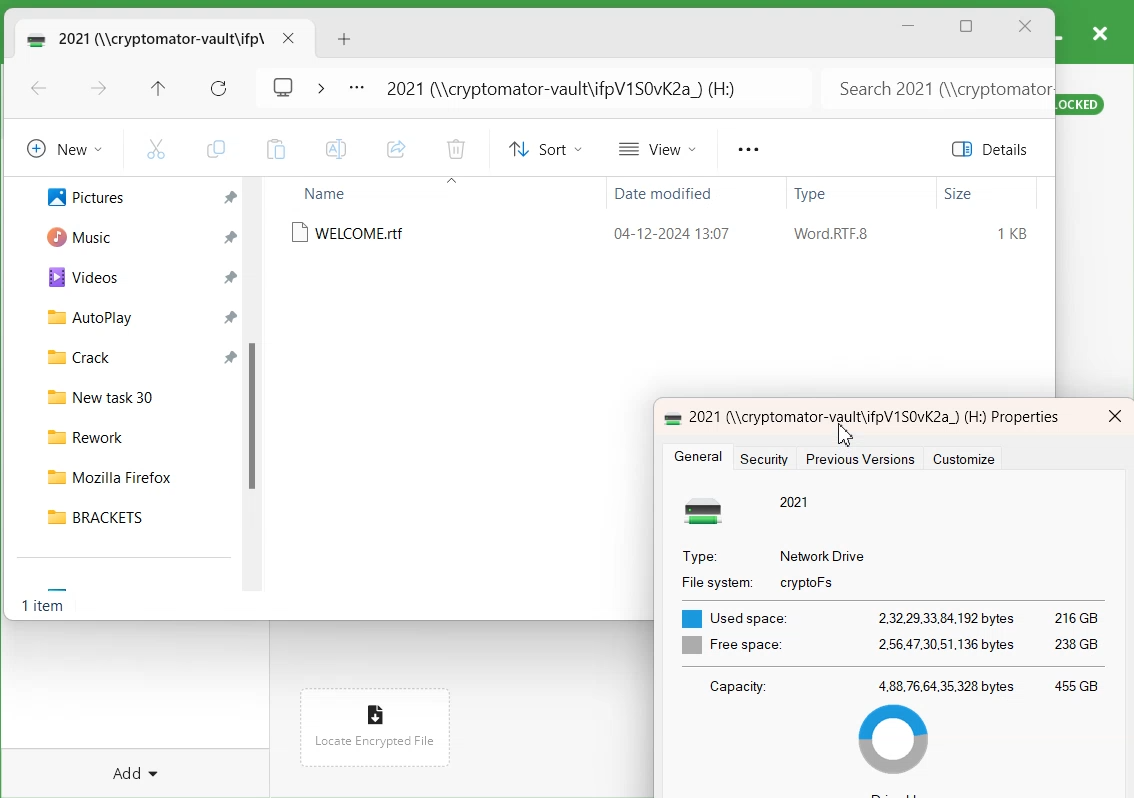  I want to click on Crack, so click(70, 355).